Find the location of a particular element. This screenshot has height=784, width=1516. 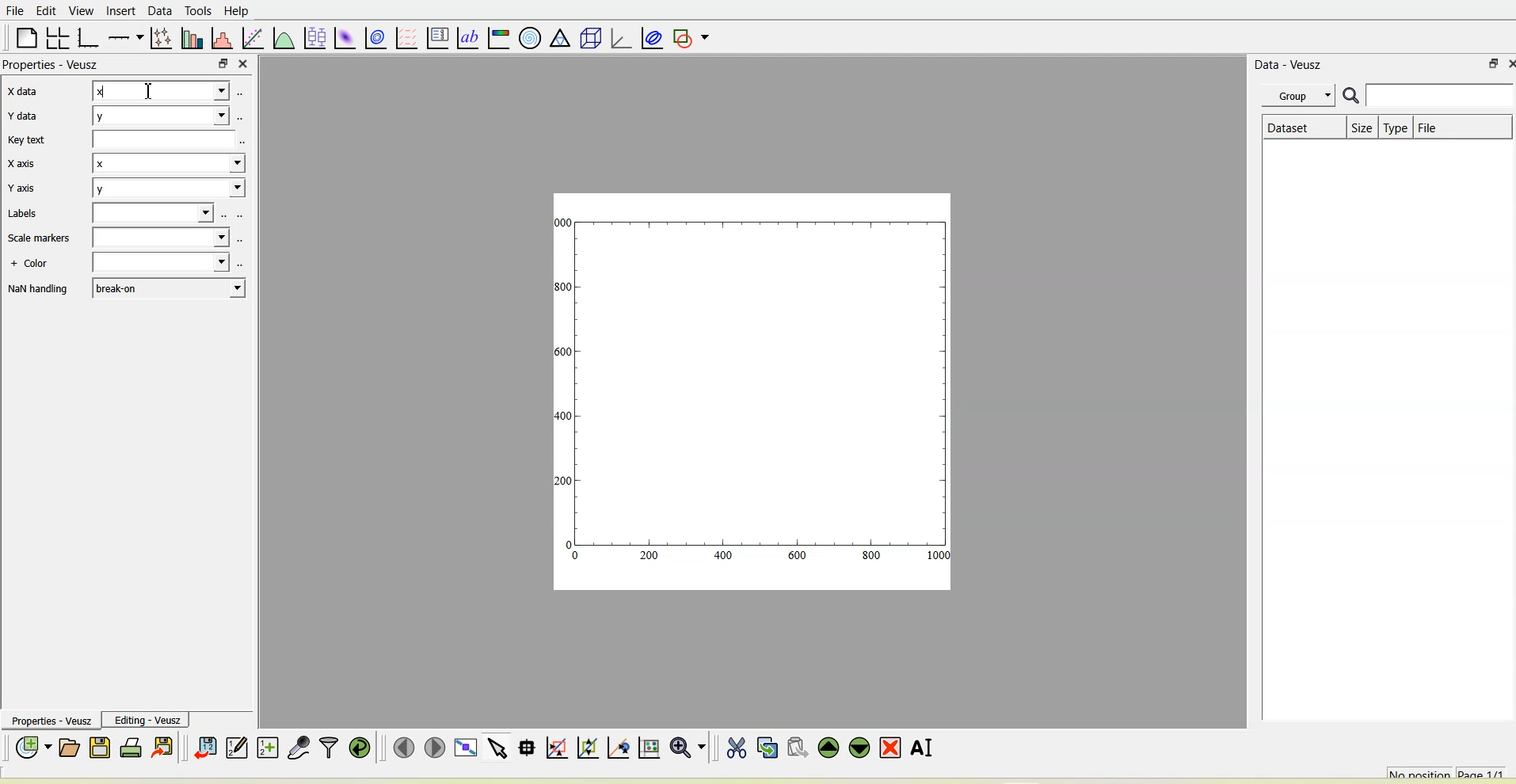

X data is located at coordinates (30, 89).